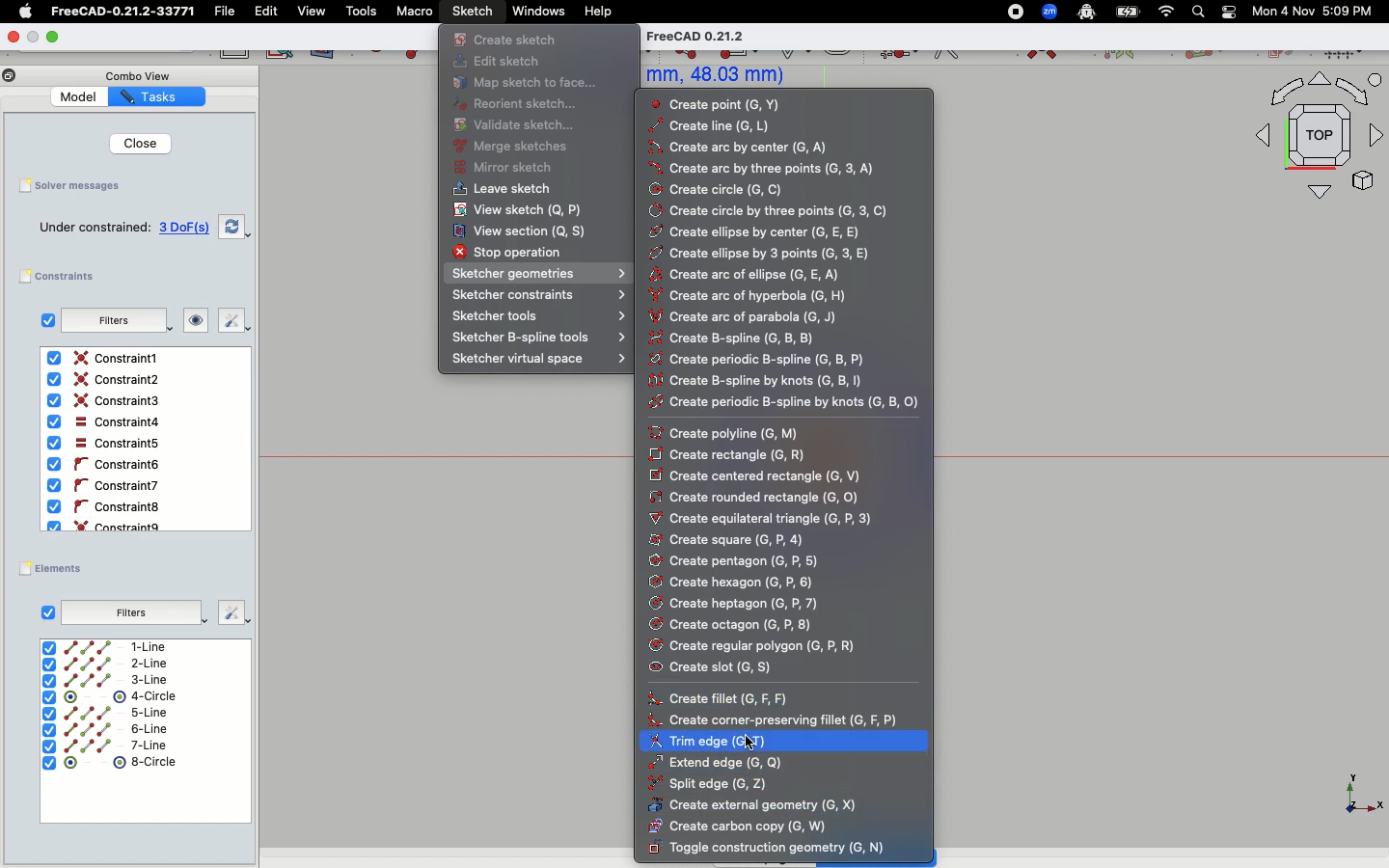 This screenshot has height=868, width=1389. What do you see at coordinates (81, 98) in the screenshot?
I see `Model` at bounding box center [81, 98].